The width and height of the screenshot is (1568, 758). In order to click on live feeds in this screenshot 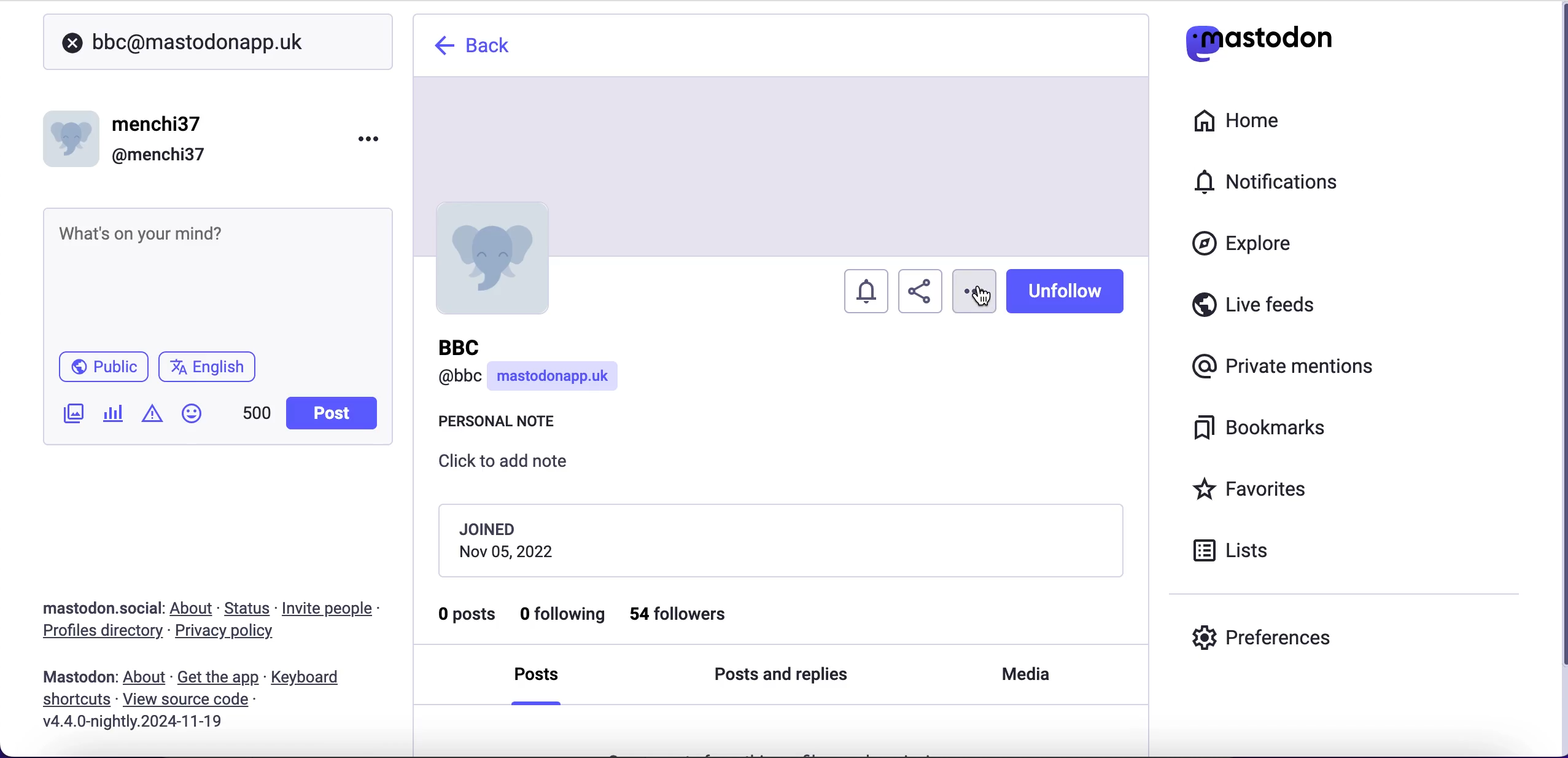, I will do `click(1254, 309)`.